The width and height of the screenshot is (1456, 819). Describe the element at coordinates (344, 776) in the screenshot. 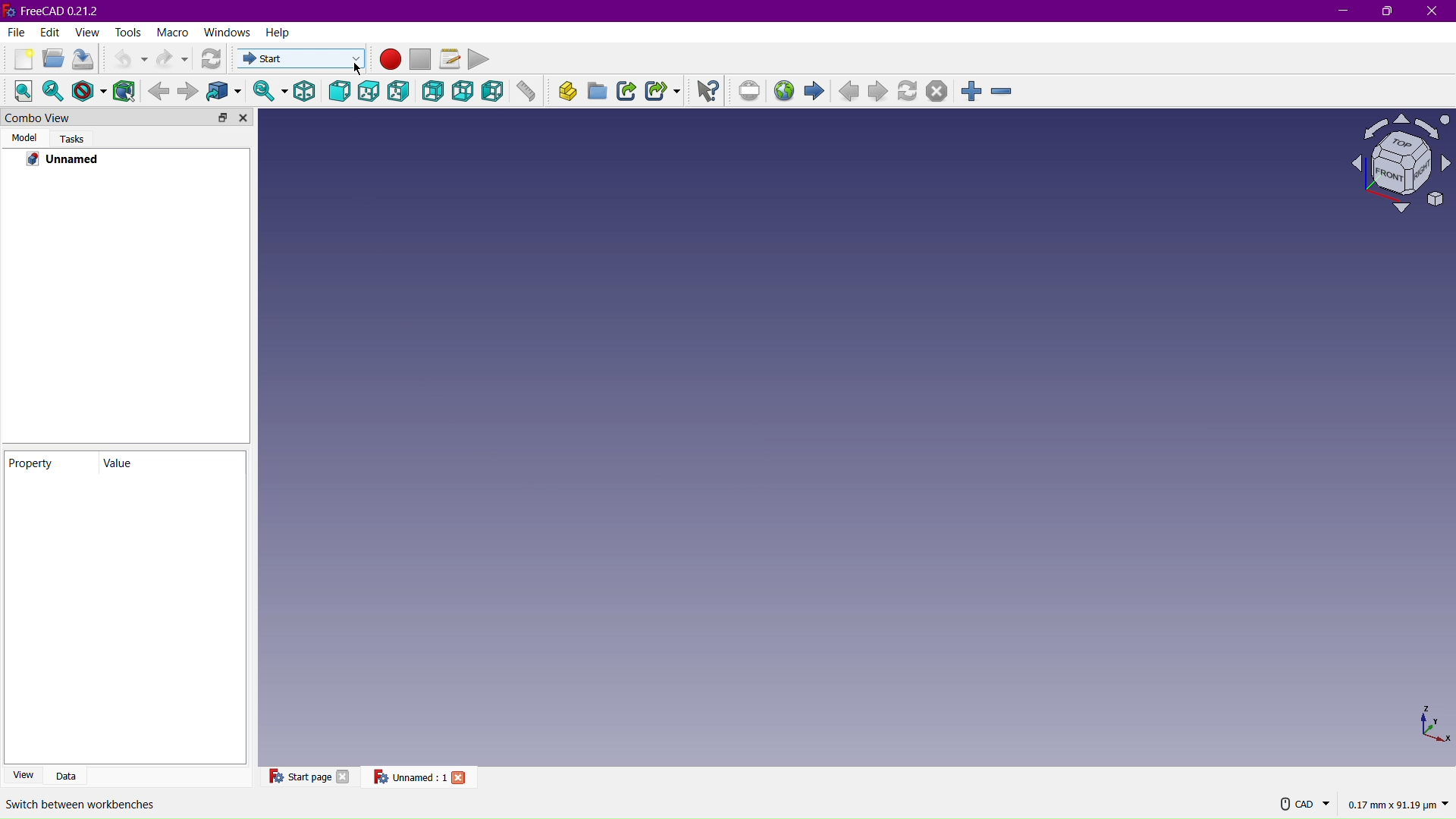

I see `close` at that location.